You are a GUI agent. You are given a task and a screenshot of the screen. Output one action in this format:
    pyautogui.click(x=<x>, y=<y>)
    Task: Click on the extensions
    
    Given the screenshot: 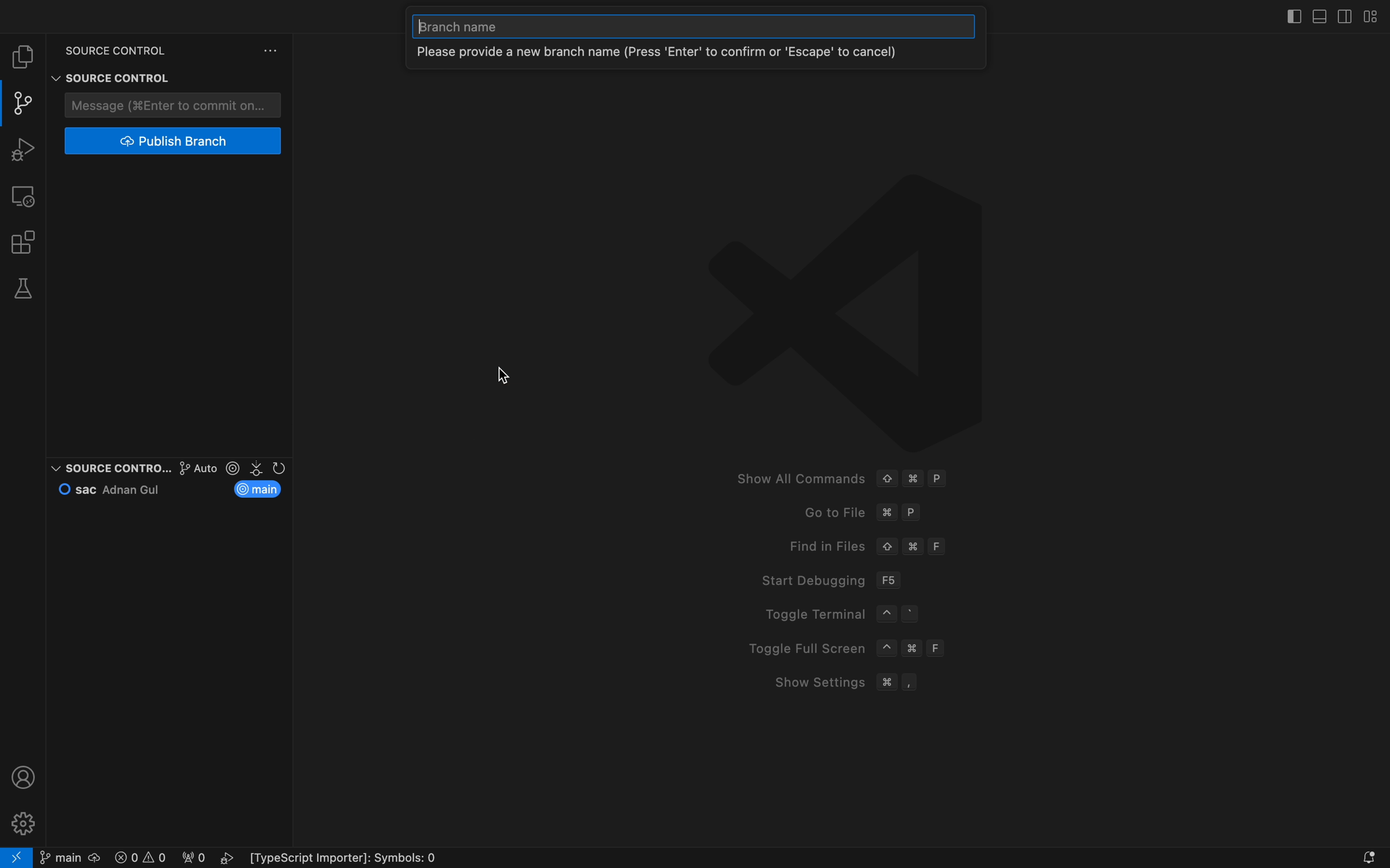 What is the action you would take?
    pyautogui.click(x=25, y=242)
    